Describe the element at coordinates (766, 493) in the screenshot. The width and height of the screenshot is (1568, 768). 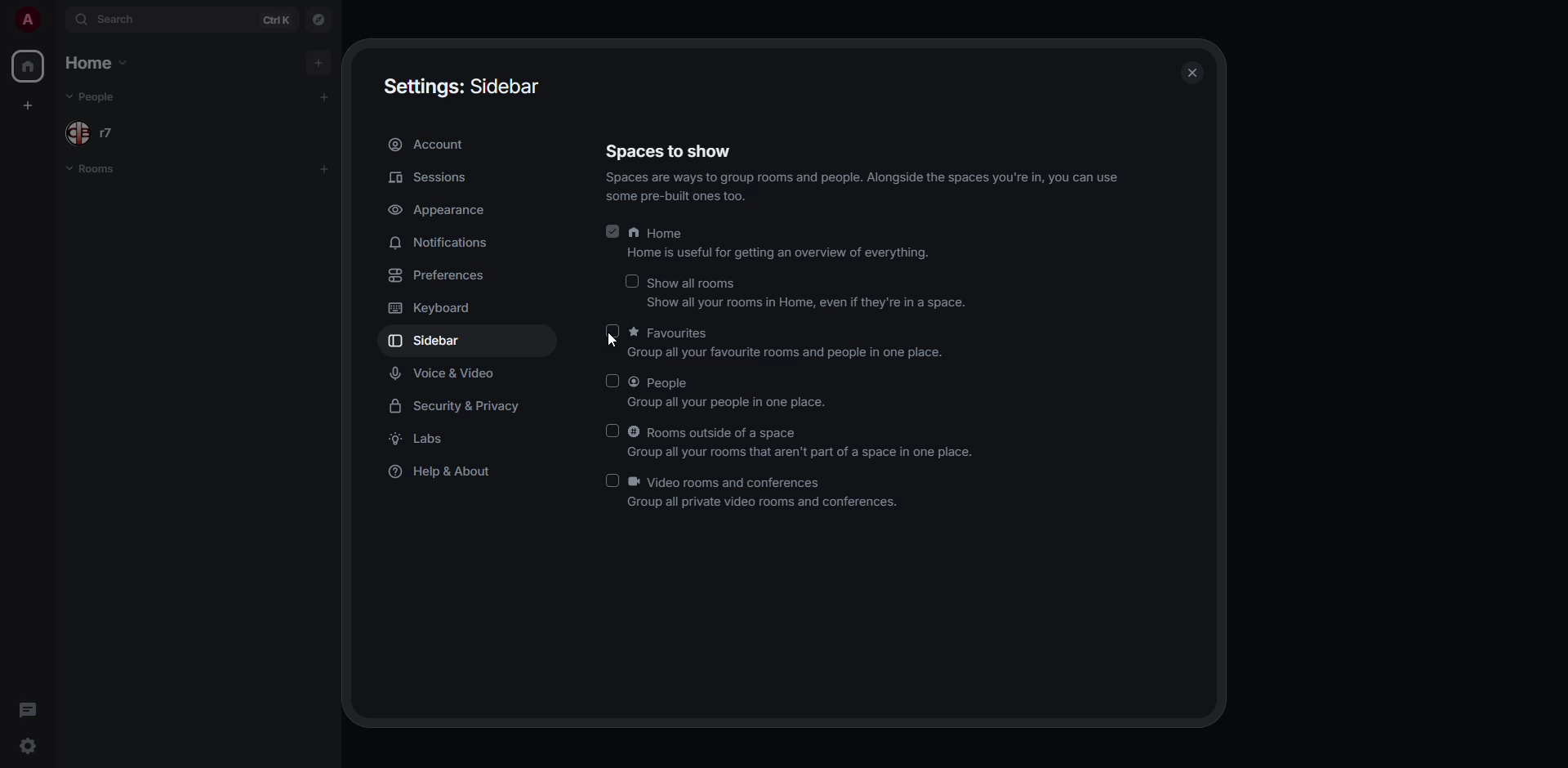
I see `Video rooms and conferencesGroup all private video rooms and conferences.` at that location.